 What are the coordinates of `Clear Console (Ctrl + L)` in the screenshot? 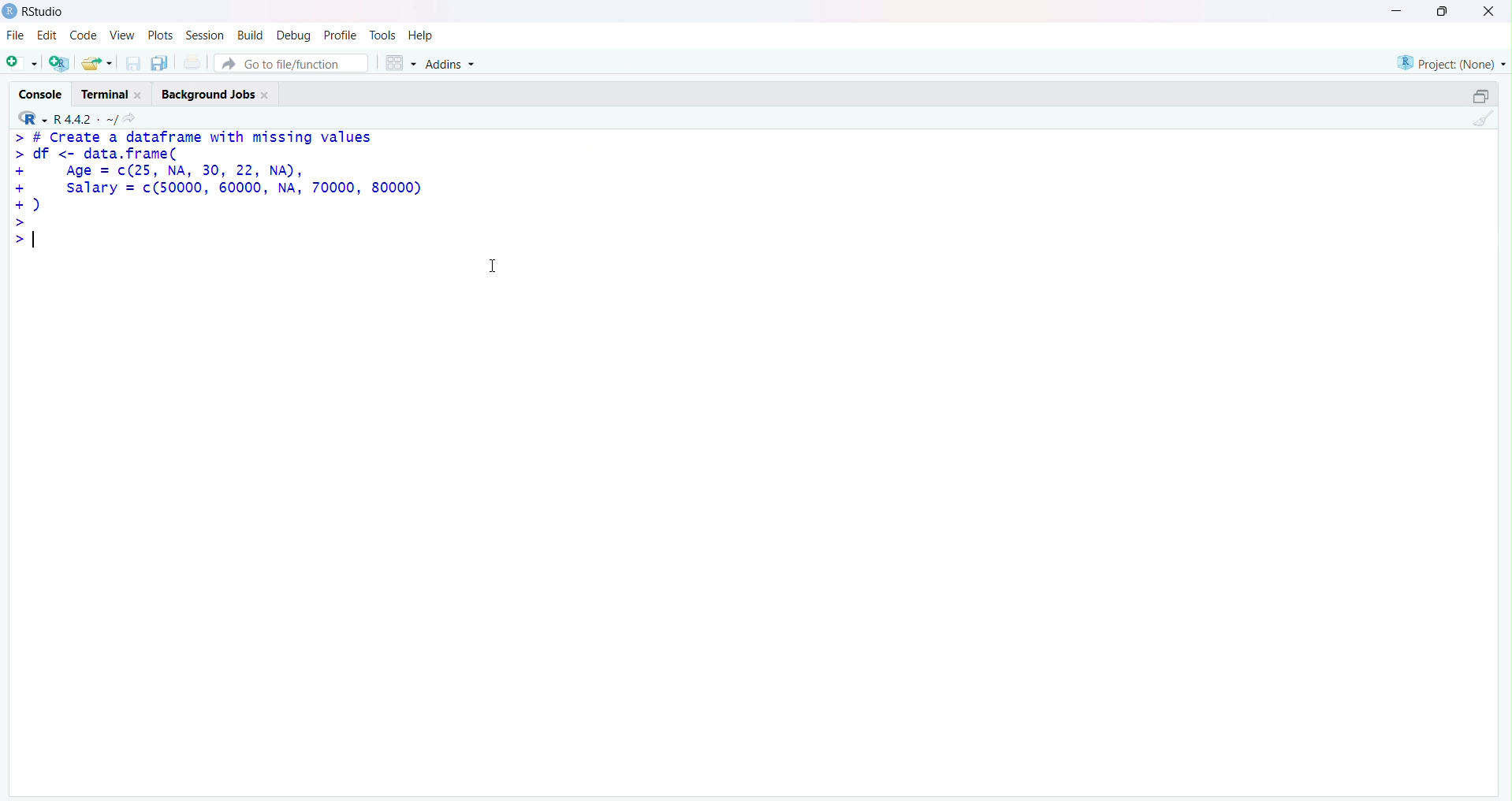 It's located at (1480, 121).